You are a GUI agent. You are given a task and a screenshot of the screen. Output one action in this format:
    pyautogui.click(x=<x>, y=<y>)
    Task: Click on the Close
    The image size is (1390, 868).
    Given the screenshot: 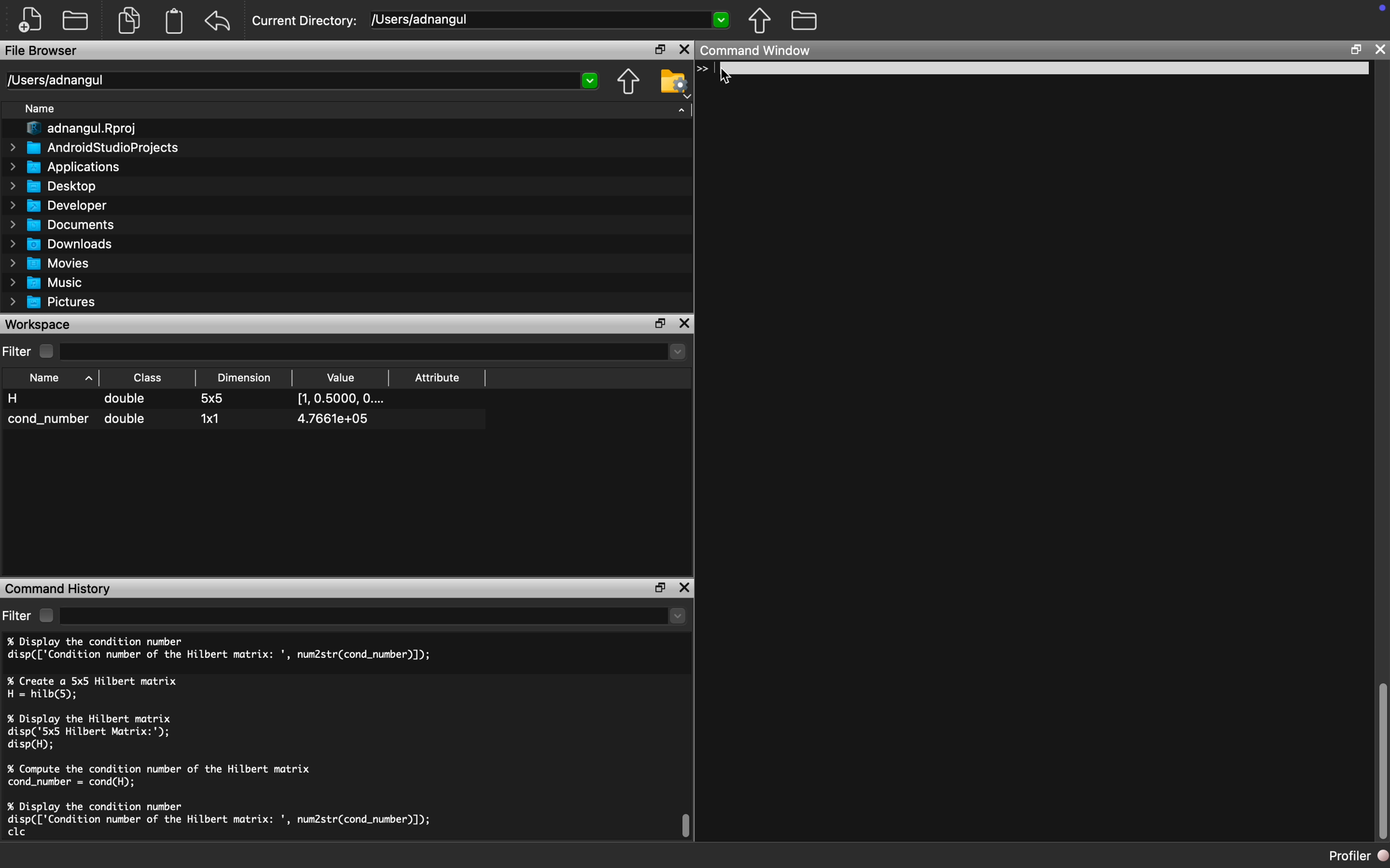 What is the action you would take?
    pyautogui.click(x=685, y=50)
    